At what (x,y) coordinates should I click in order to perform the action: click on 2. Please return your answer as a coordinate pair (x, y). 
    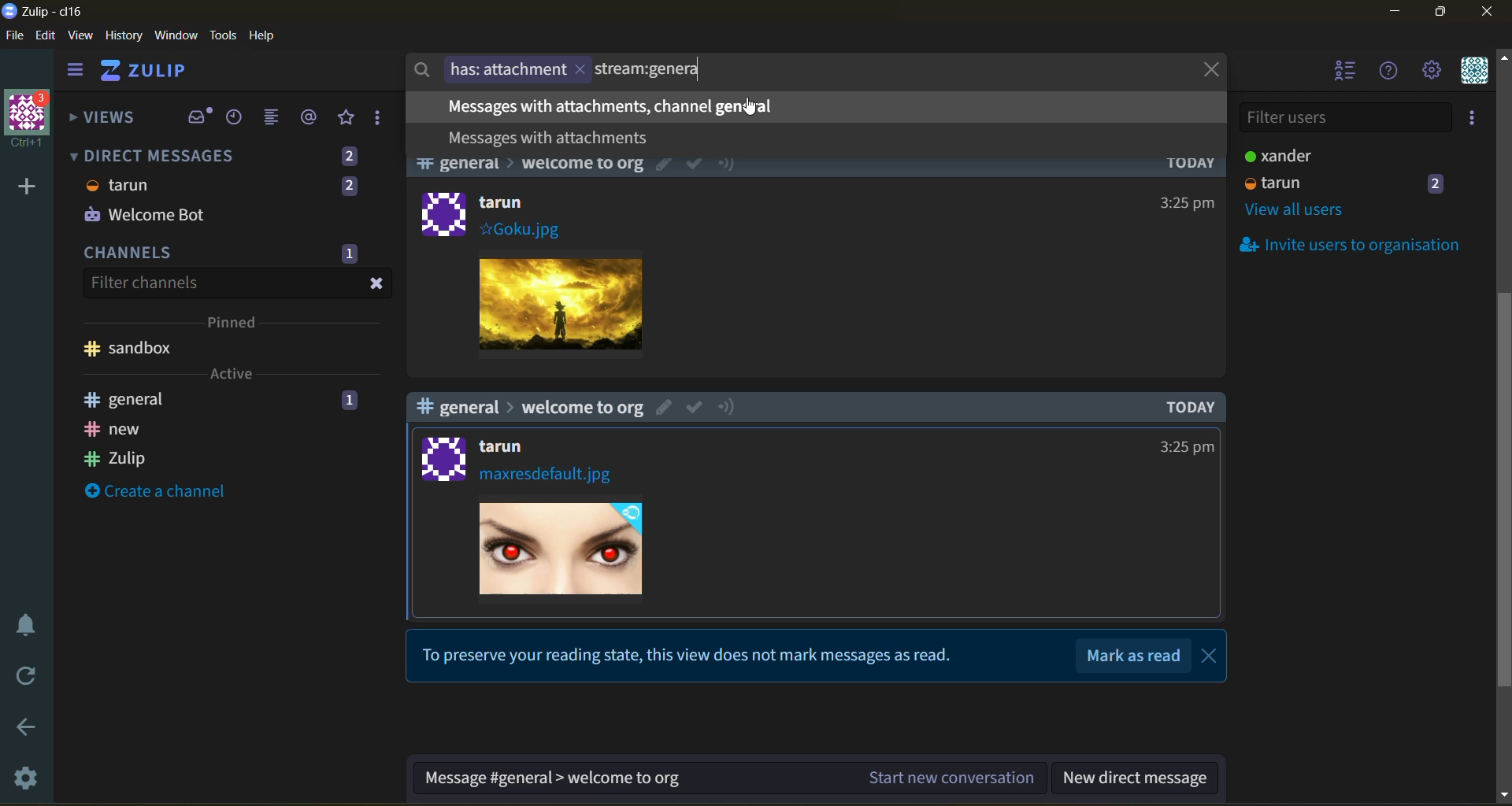
    Looking at the image, I should click on (349, 156).